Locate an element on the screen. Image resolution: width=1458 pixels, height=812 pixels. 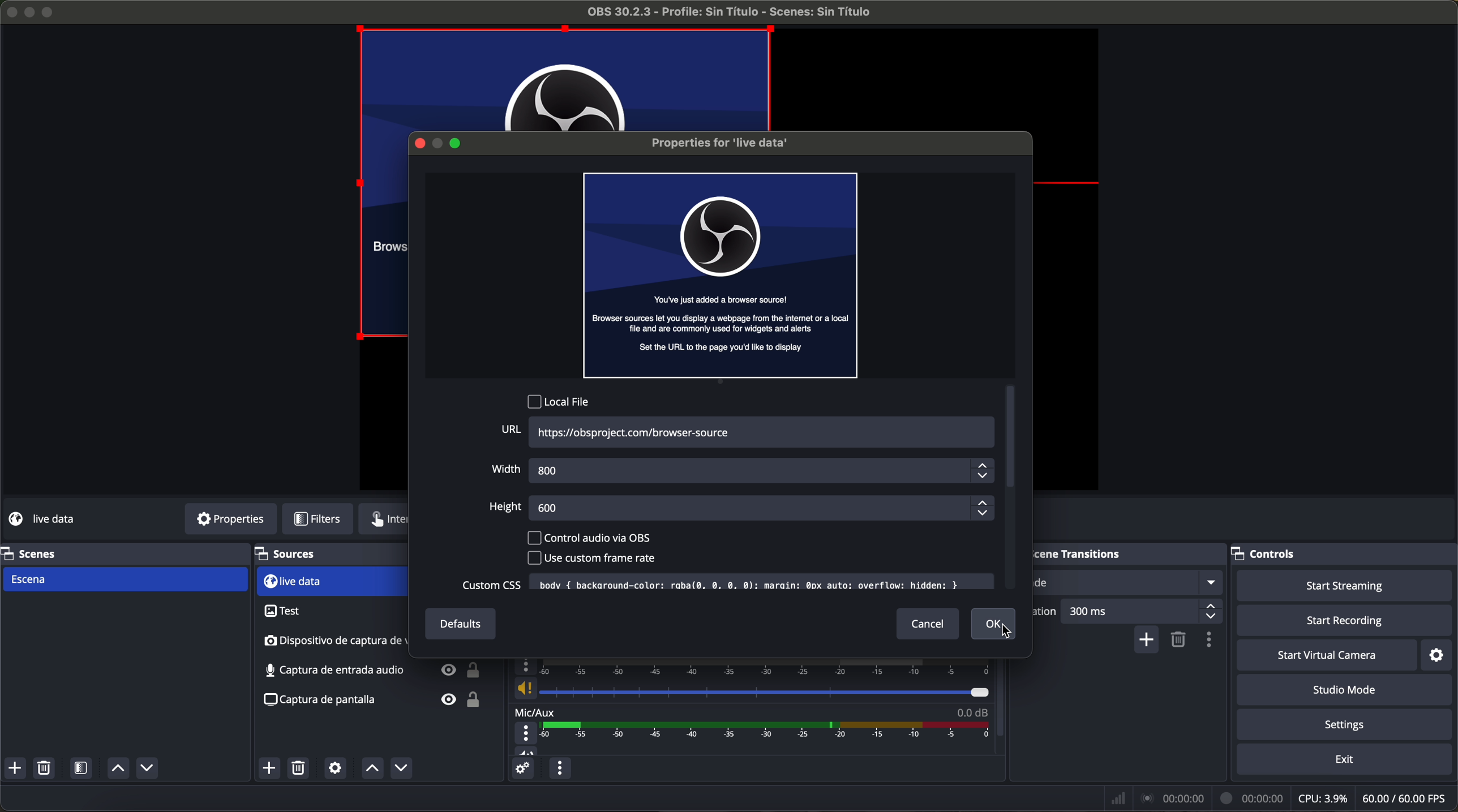
control audio via OBS is located at coordinates (588, 536).